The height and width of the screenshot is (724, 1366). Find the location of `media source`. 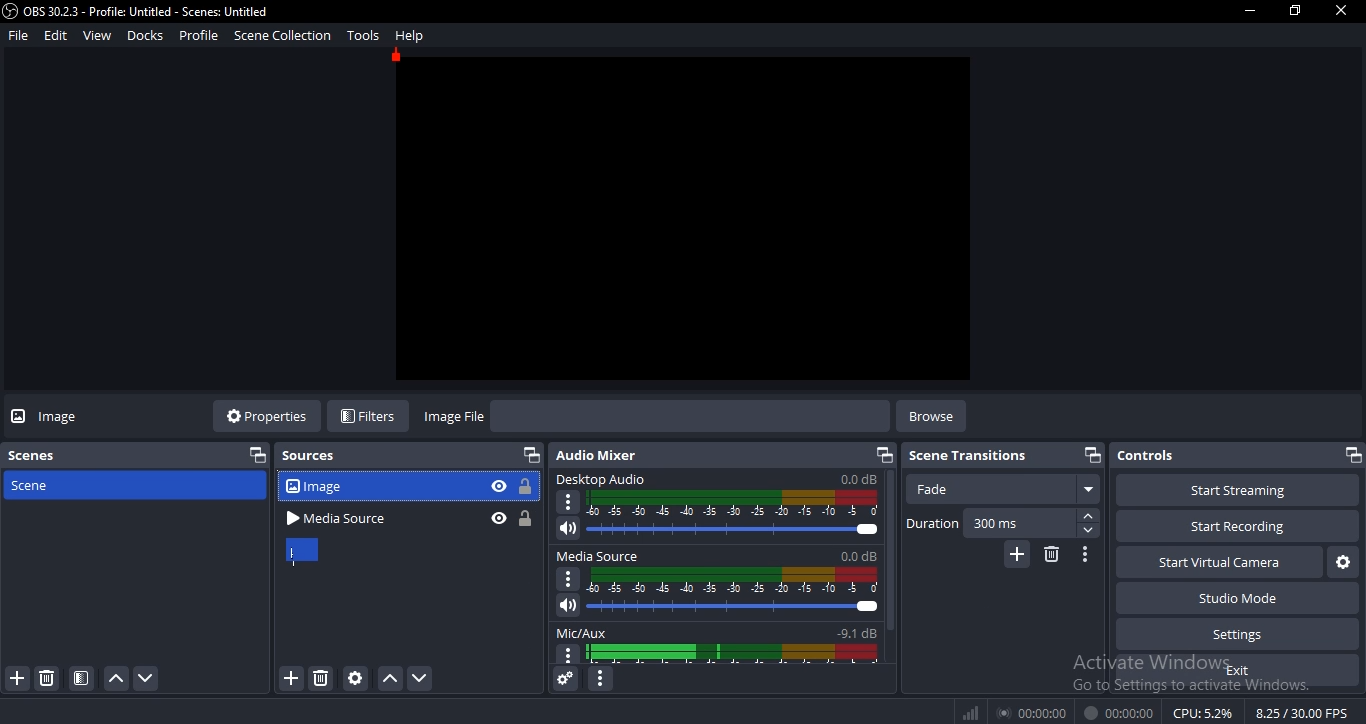

media source is located at coordinates (371, 518).